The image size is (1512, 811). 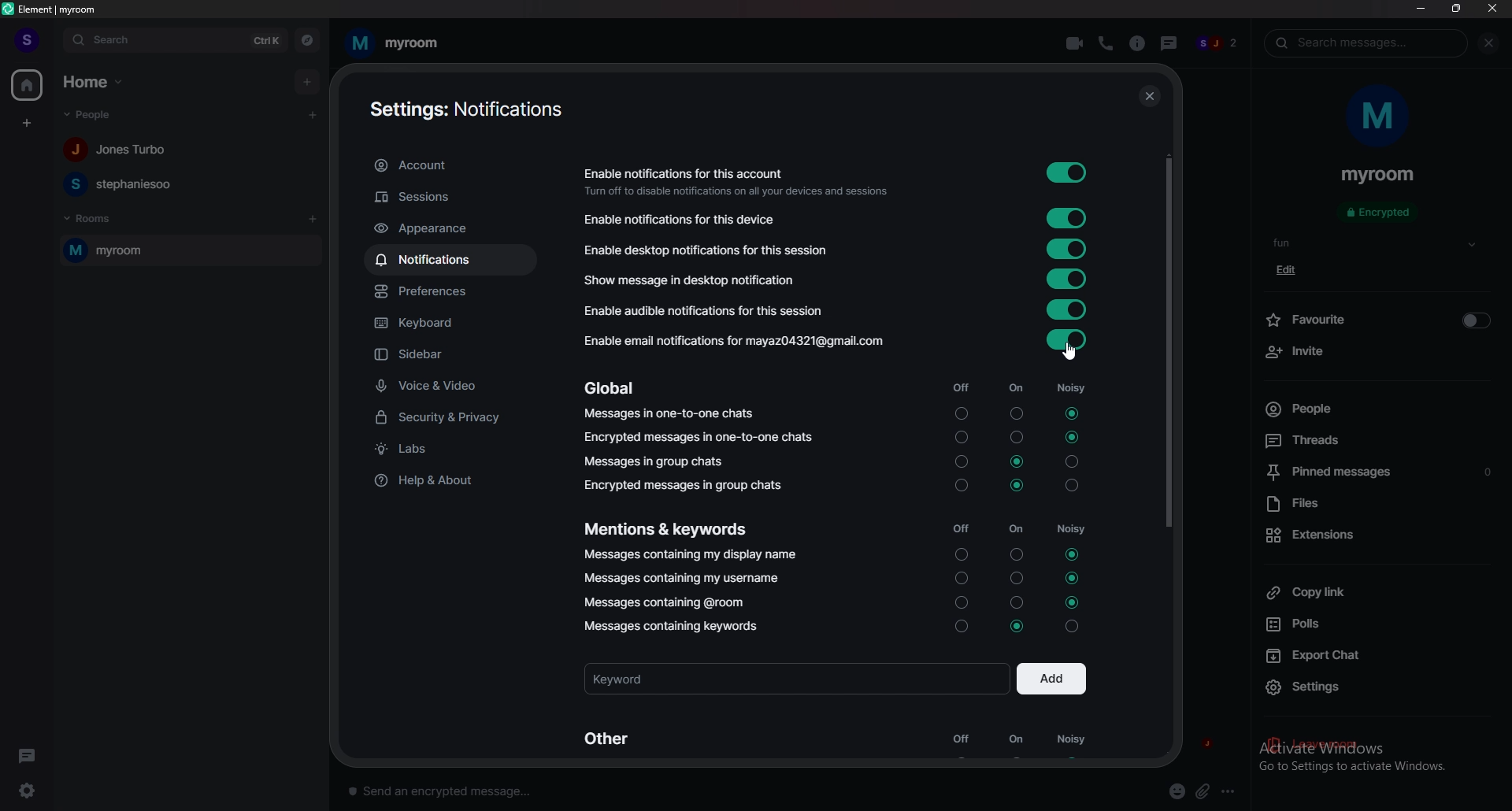 I want to click on room photo, so click(x=1380, y=117).